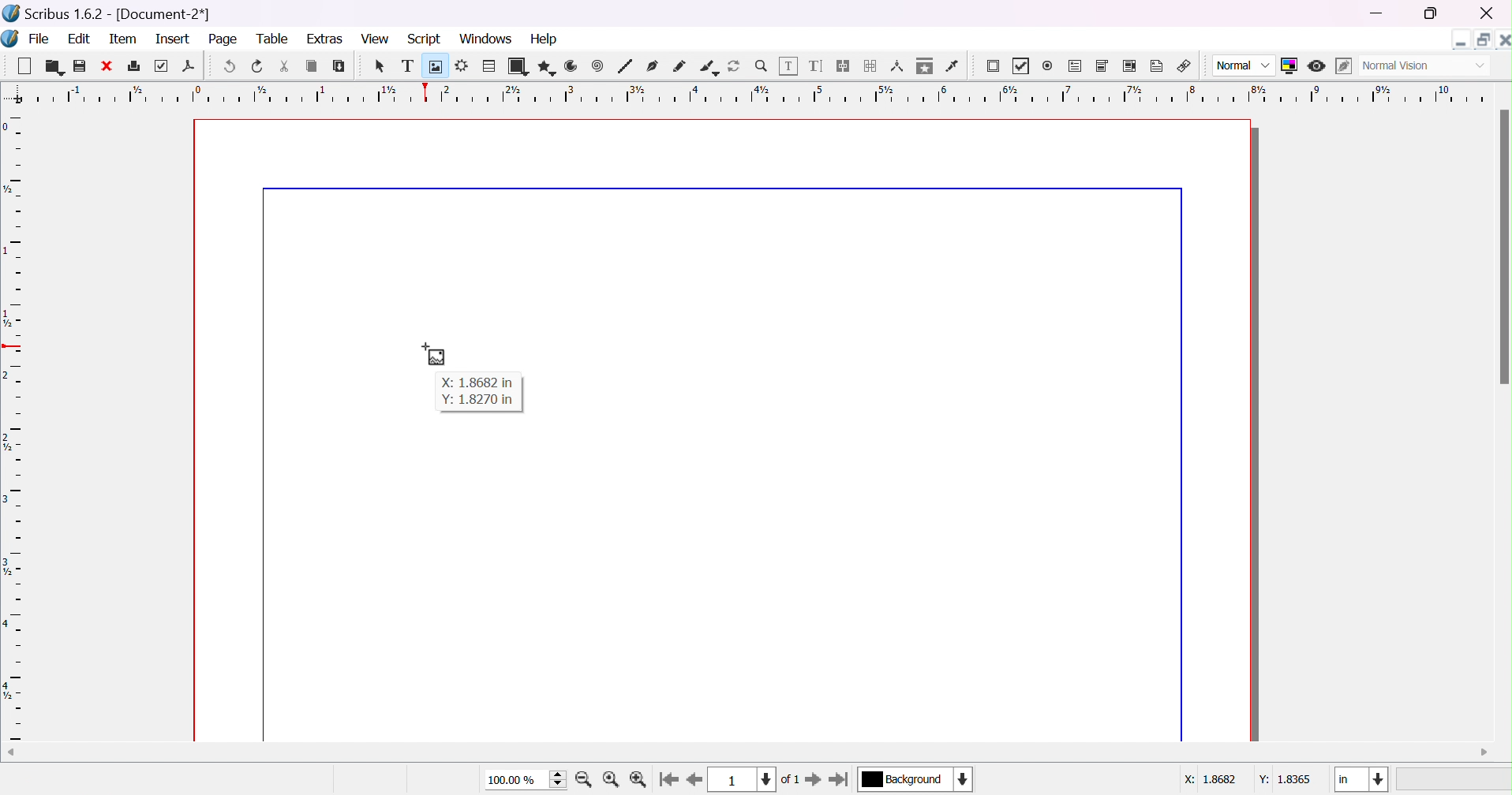 The height and width of the screenshot is (795, 1512). Describe the element at coordinates (625, 66) in the screenshot. I see `line` at that location.